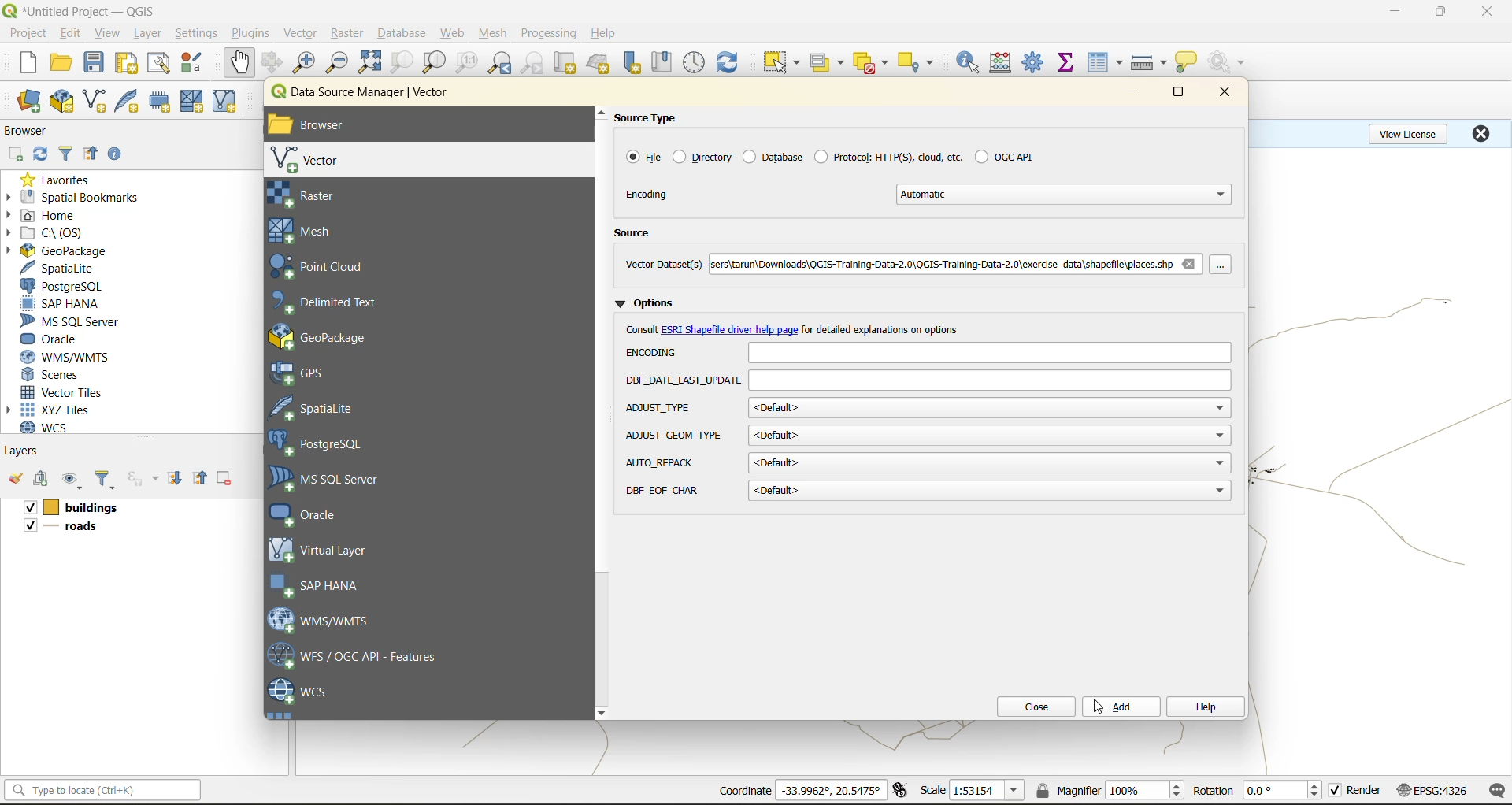 Image resolution: width=1512 pixels, height=805 pixels. Describe the element at coordinates (656, 352) in the screenshot. I see `encoding` at that location.